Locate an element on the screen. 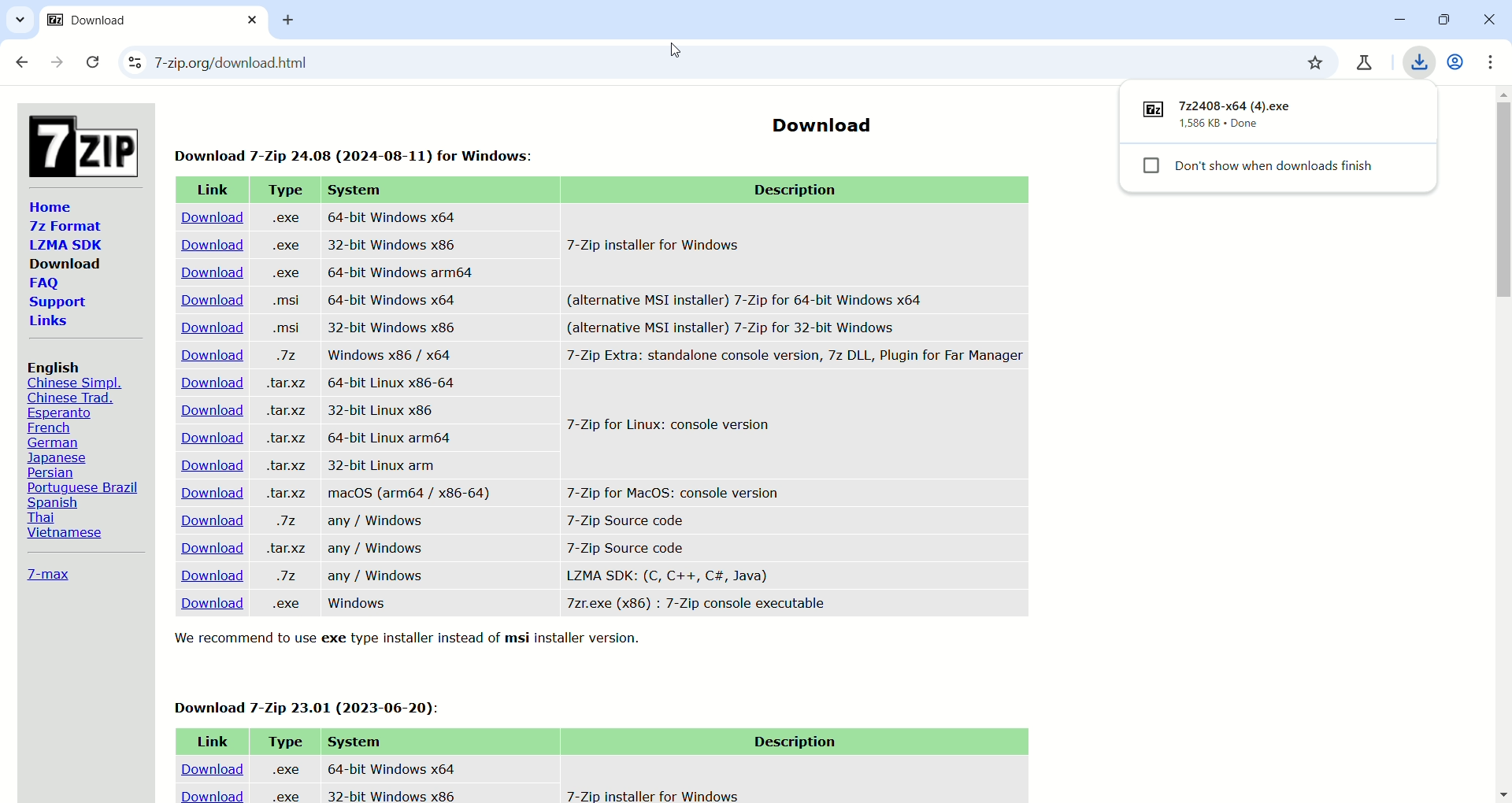  msi is located at coordinates (284, 302).